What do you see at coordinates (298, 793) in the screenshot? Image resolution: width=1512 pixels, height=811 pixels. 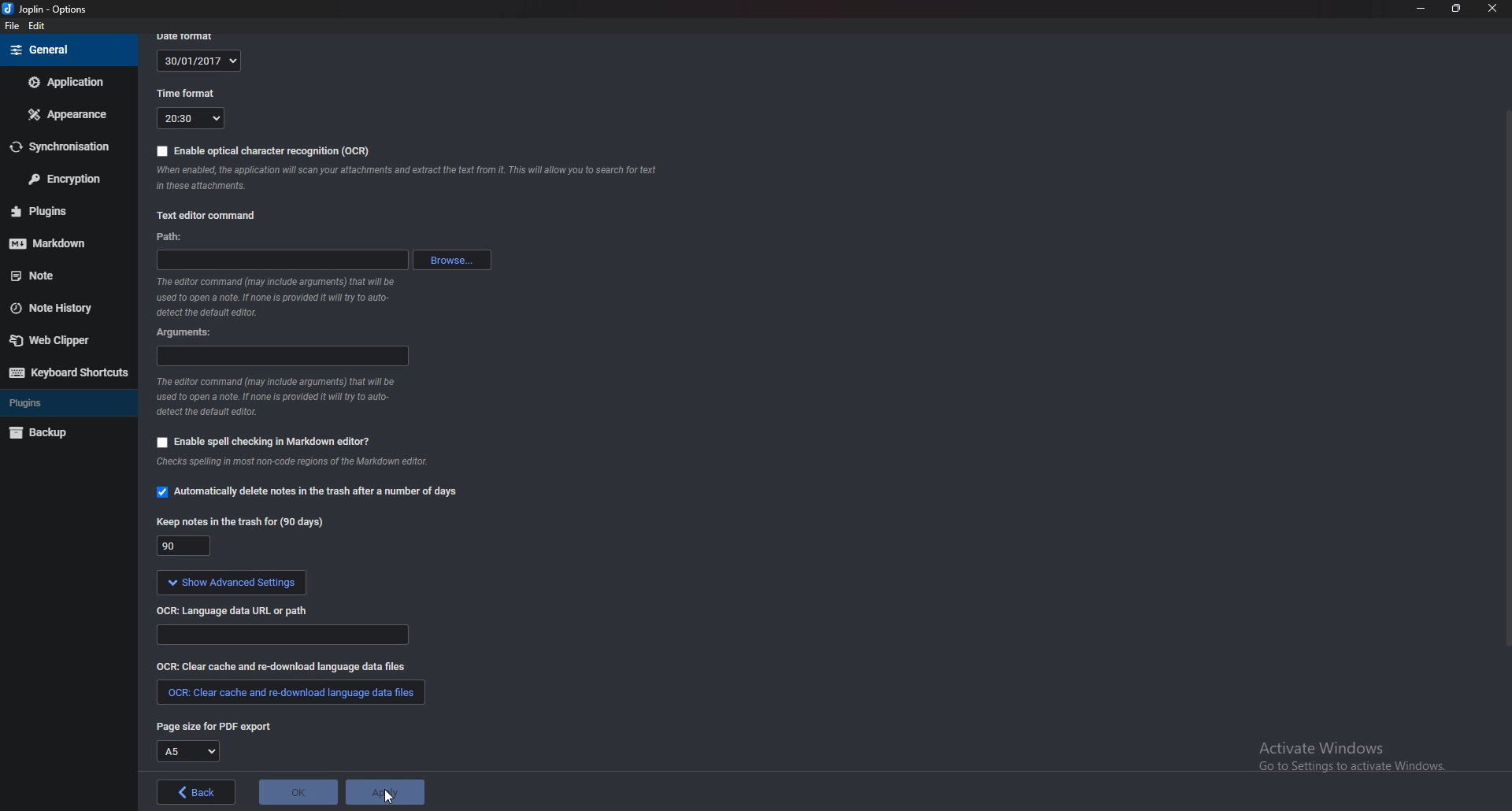 I see `ok` at bounding box center [298, 793].